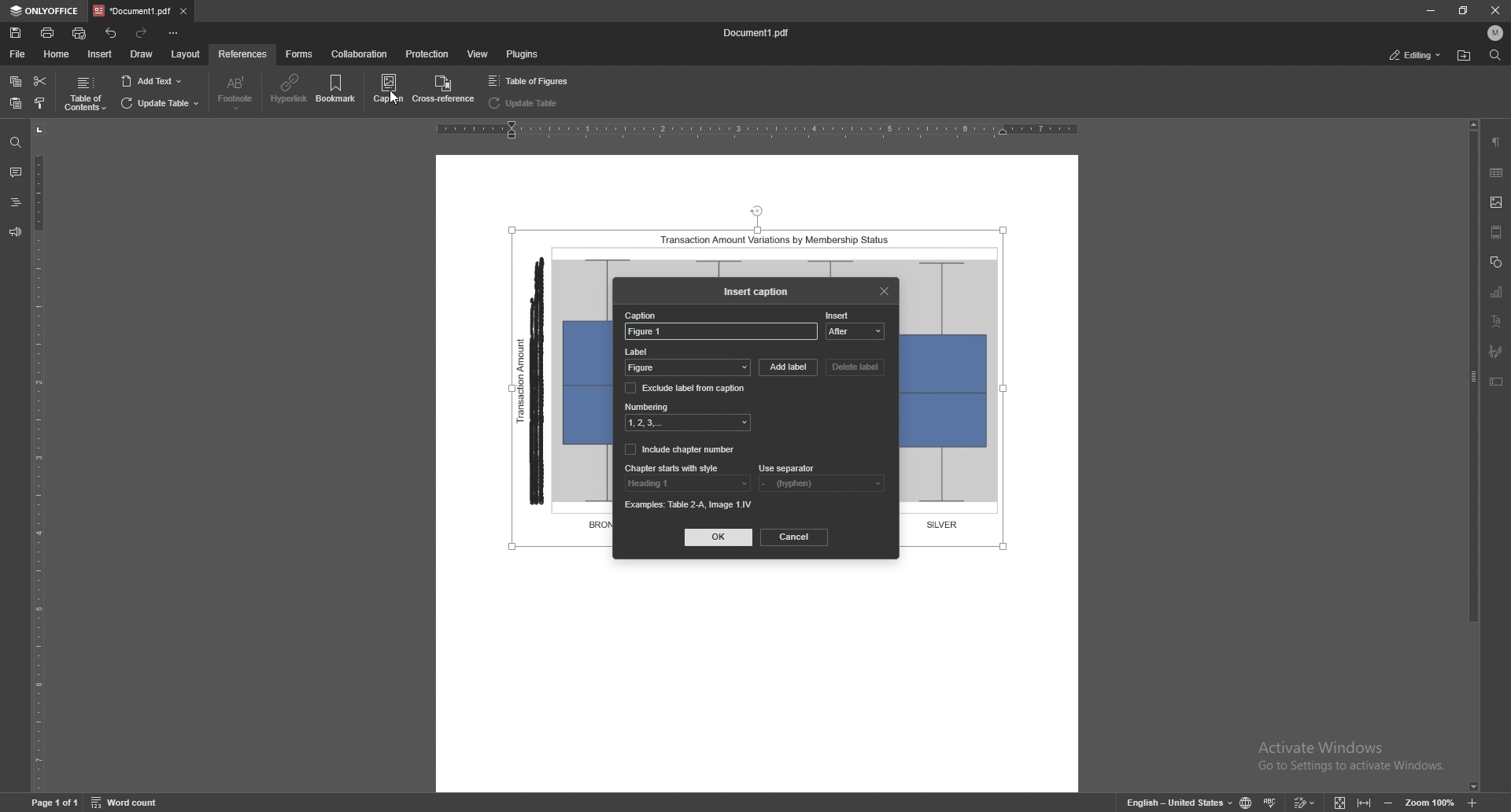 This screenshot has width=1511, height=812. Describe the element at coordinates (1414, 54) in the screenshot. I see `status` at that location.